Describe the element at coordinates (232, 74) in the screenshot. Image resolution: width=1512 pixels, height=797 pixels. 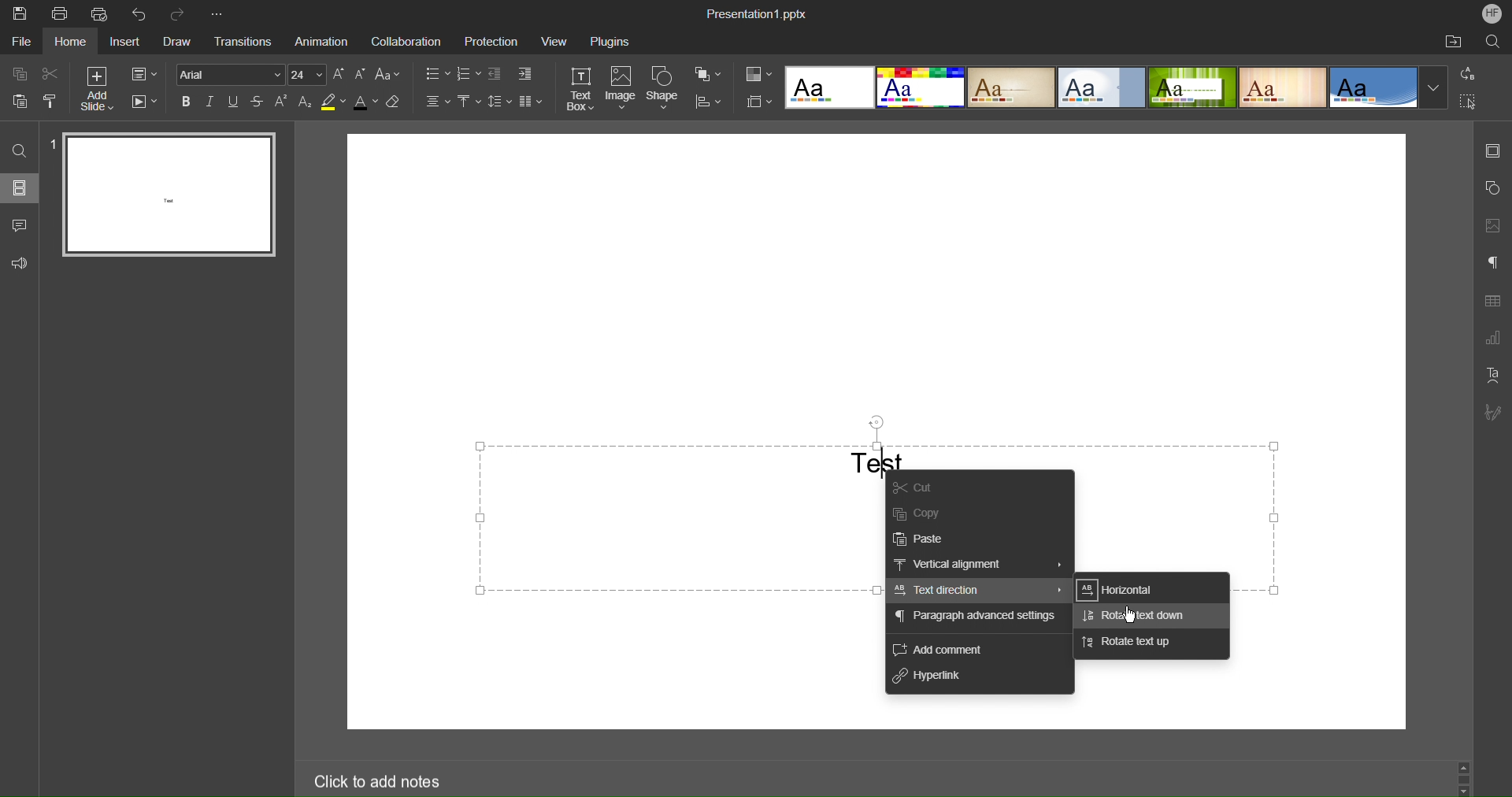
I see `Font` at that location.